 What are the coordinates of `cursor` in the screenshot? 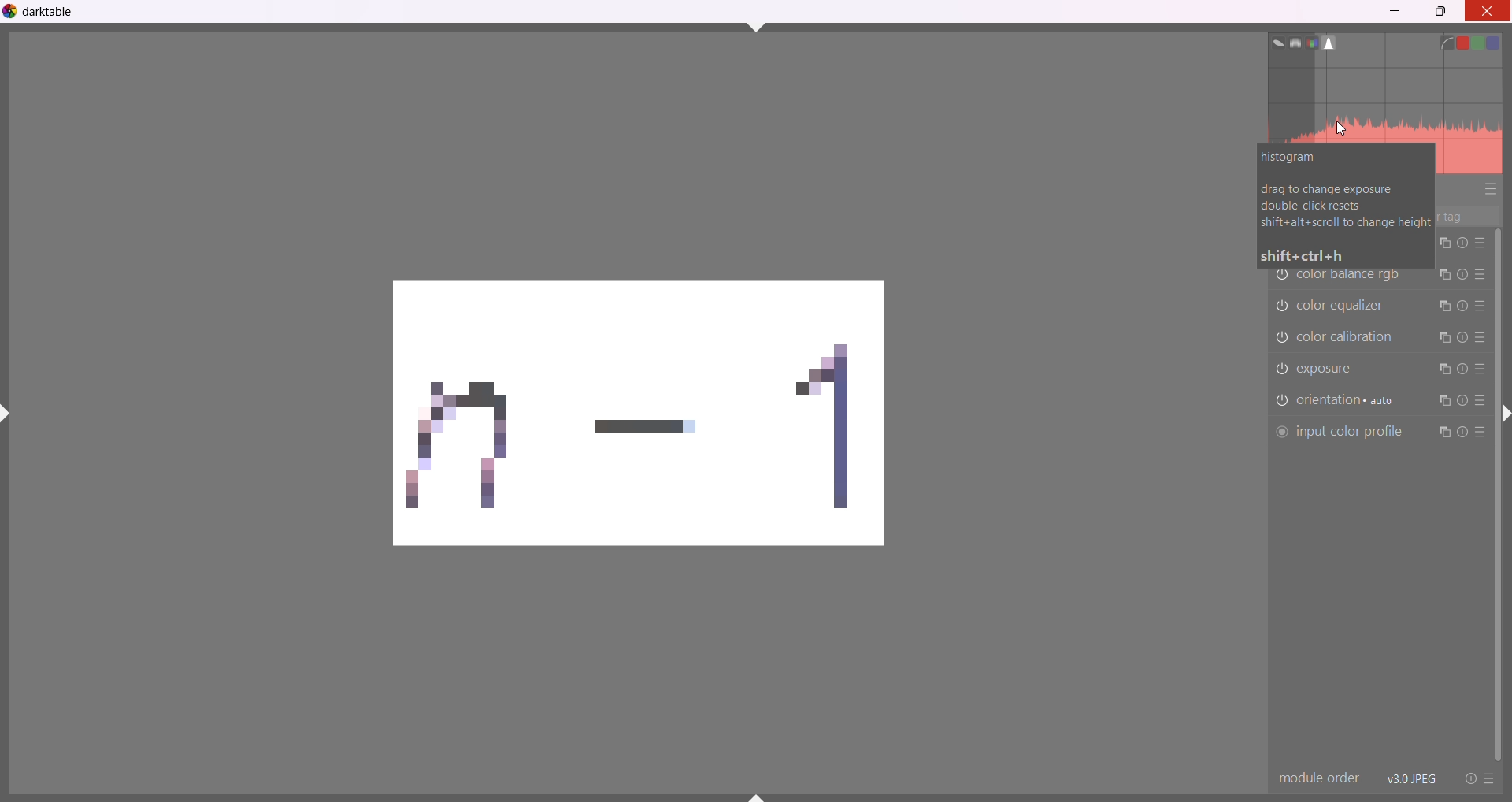 It's located at (1341, 128).